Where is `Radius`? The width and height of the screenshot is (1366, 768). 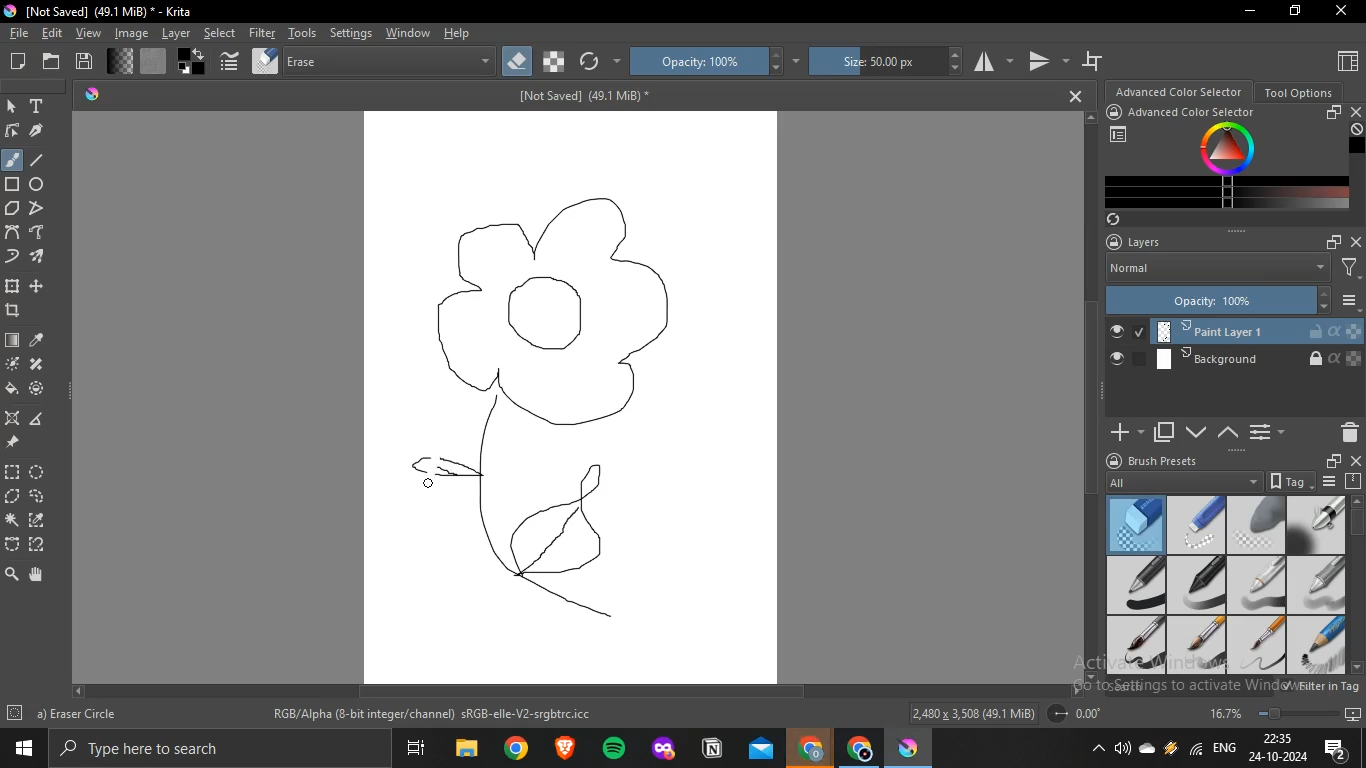 Radius is located at coordinates (1080, 713).